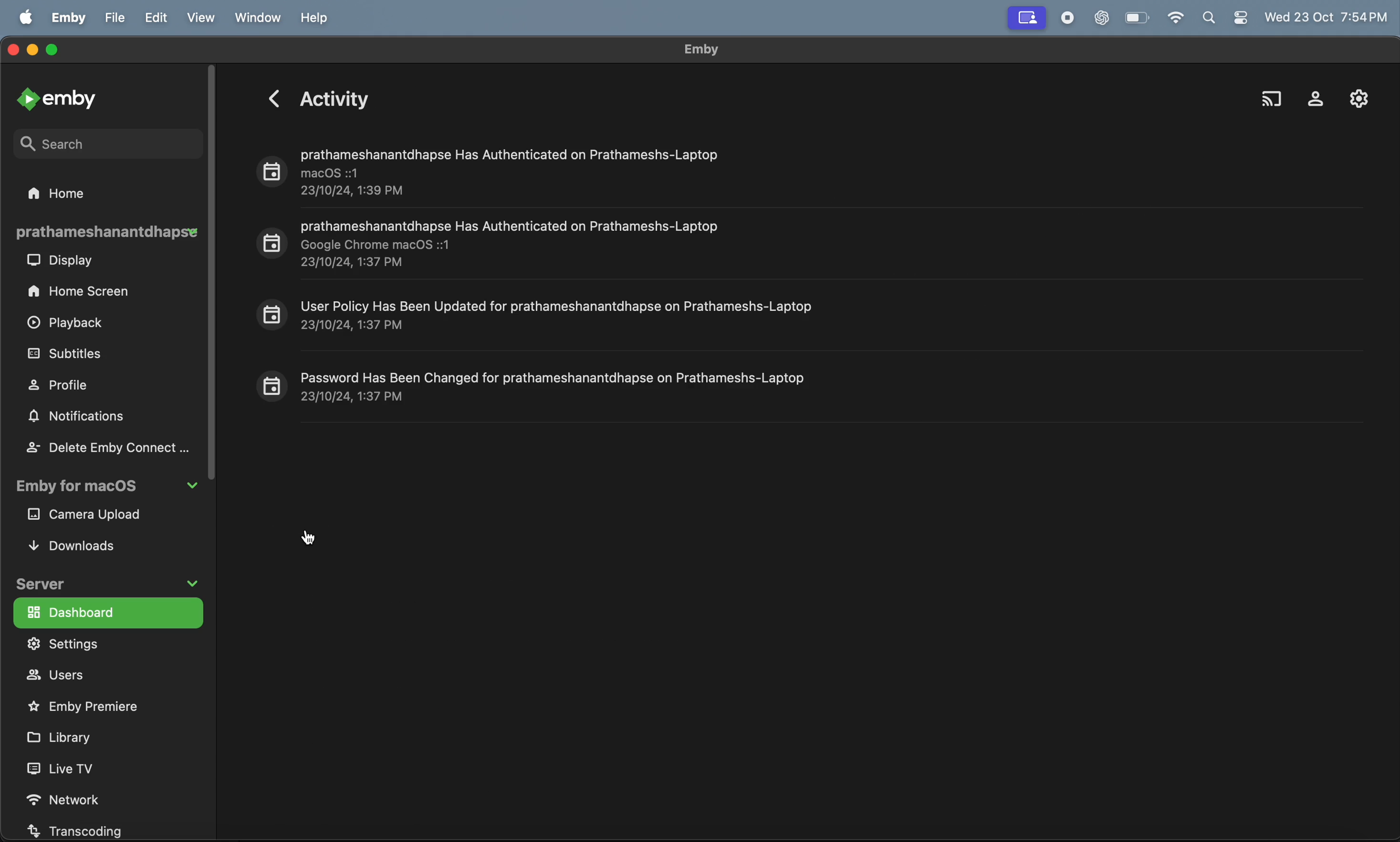 This screenshot has width=1400, height=842. What do you see at coordinates (102, 516) in the screenshot?
I see `camera upload` at bounding box center [102, 516].